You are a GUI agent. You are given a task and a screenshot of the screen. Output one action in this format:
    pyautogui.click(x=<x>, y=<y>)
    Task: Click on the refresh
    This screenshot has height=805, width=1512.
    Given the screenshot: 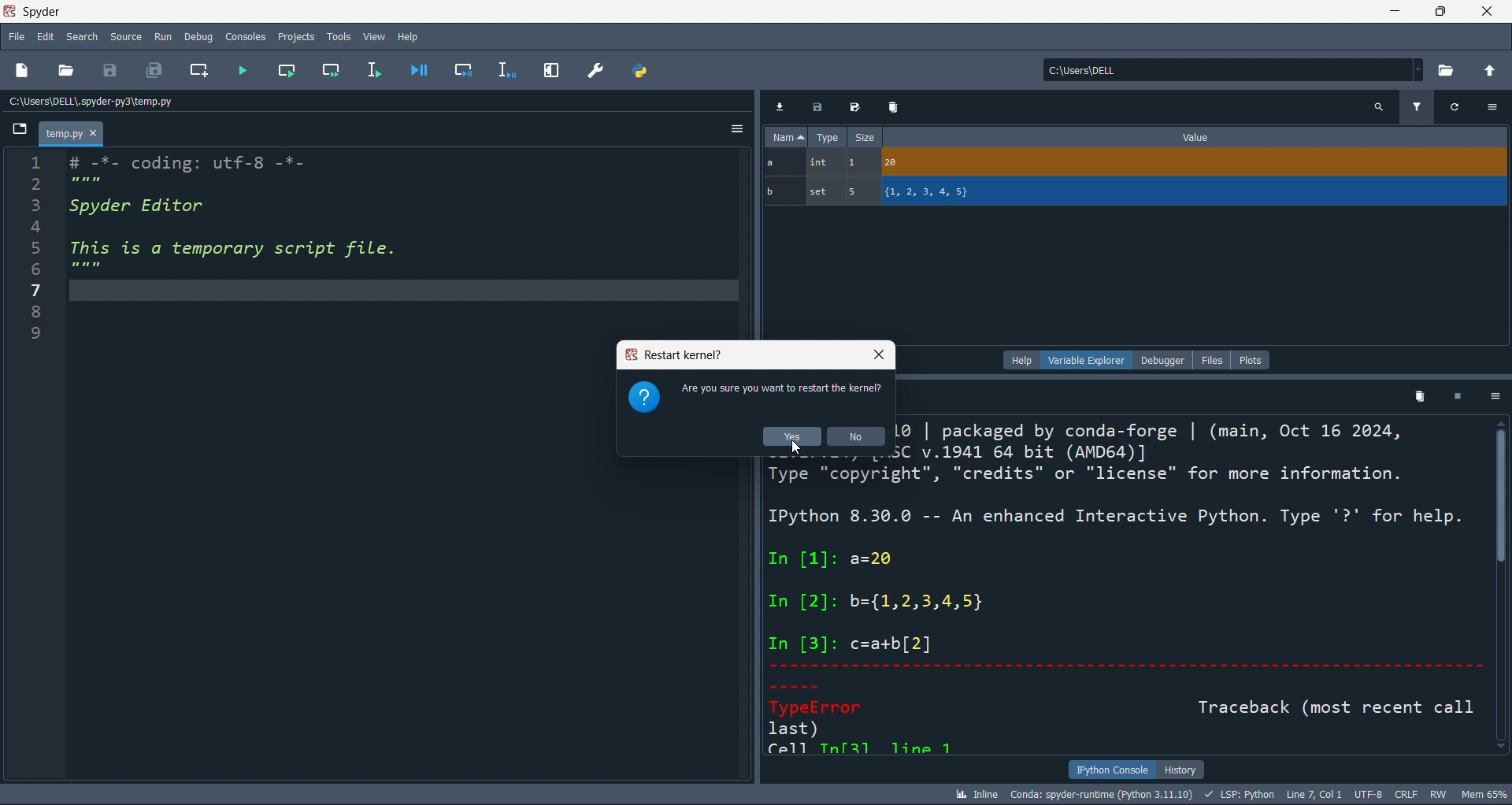 What is the action you would take?
    pyautogui.click(x=1451, y=107)
    